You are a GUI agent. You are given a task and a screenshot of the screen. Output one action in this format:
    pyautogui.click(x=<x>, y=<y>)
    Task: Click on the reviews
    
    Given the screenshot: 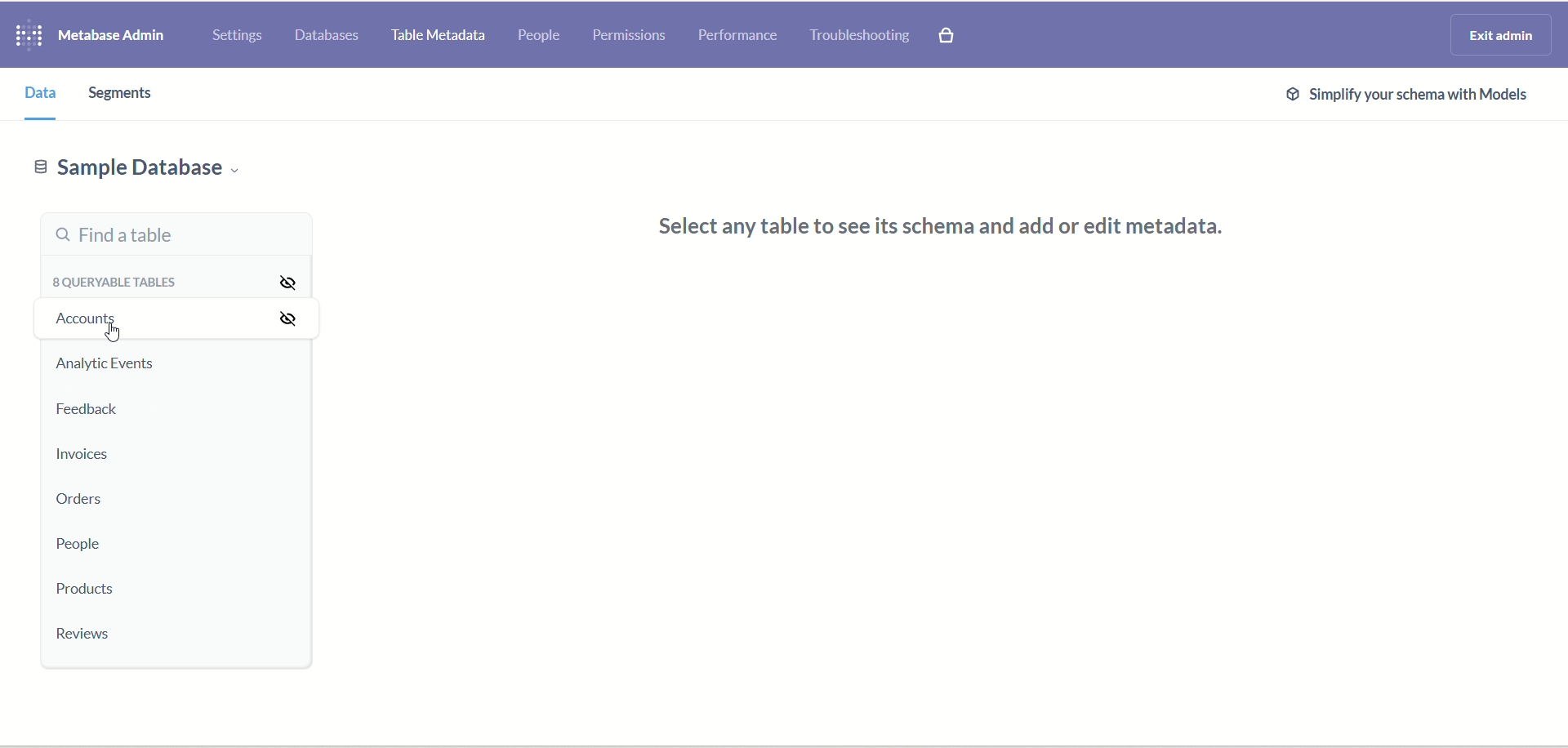 What is the action you would take?
    pyautogui.click(x=89, y=636)
    